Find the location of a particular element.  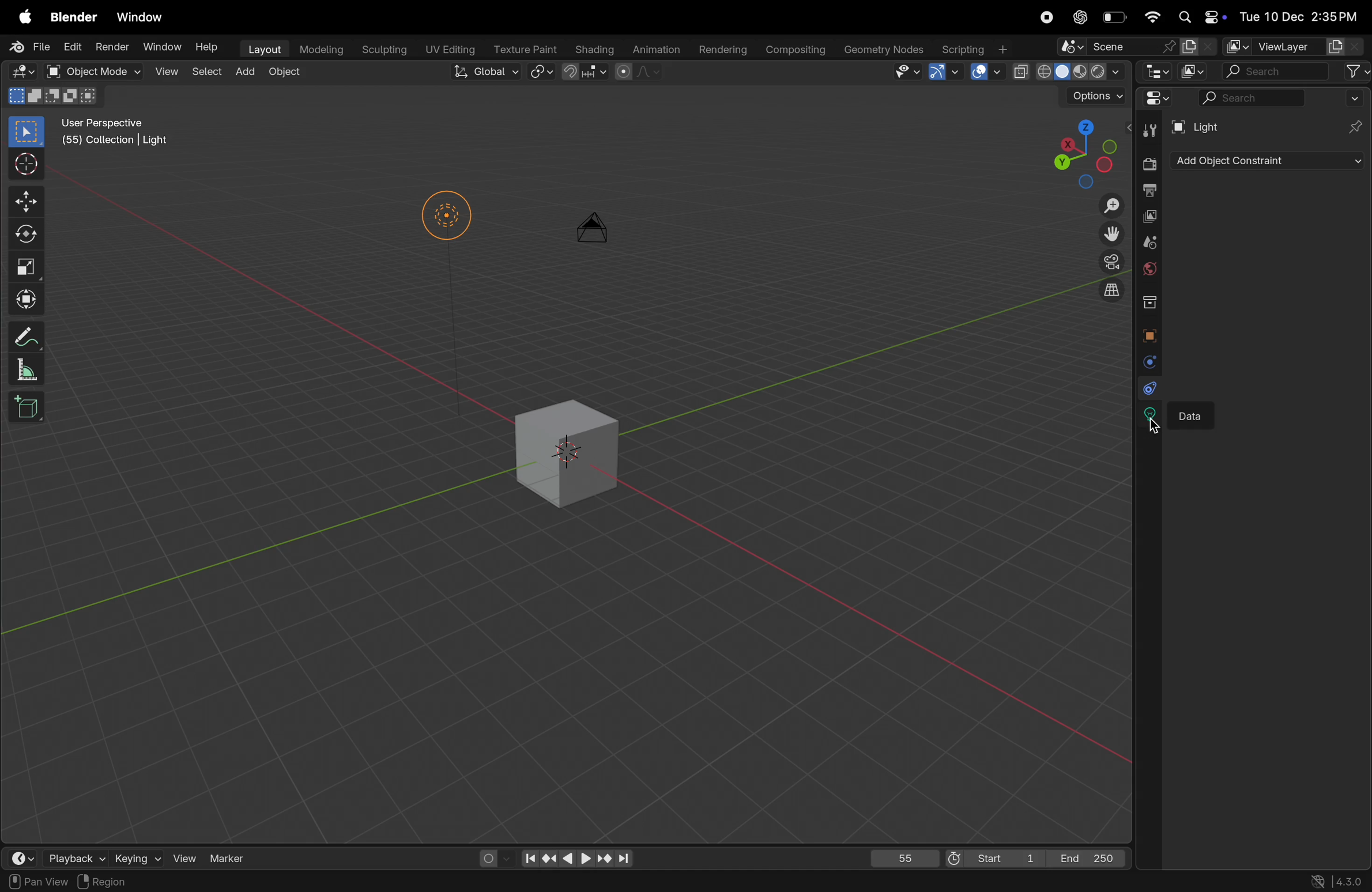

annotate is located at coordinates (29, 335).